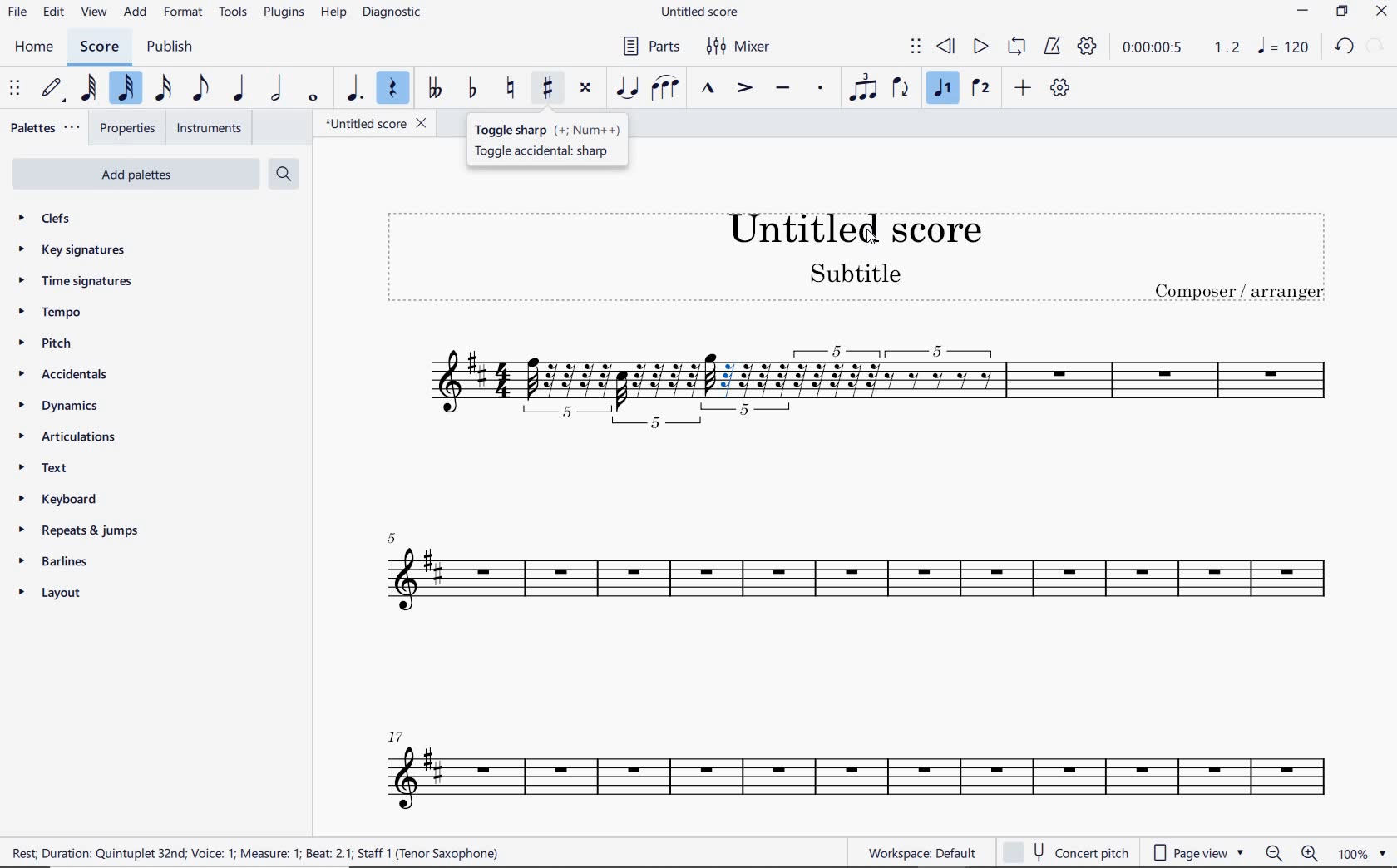  Describe the element at coordinates (283, 173) in the screenshot. I see `SEARCH PALETTES` at that location.